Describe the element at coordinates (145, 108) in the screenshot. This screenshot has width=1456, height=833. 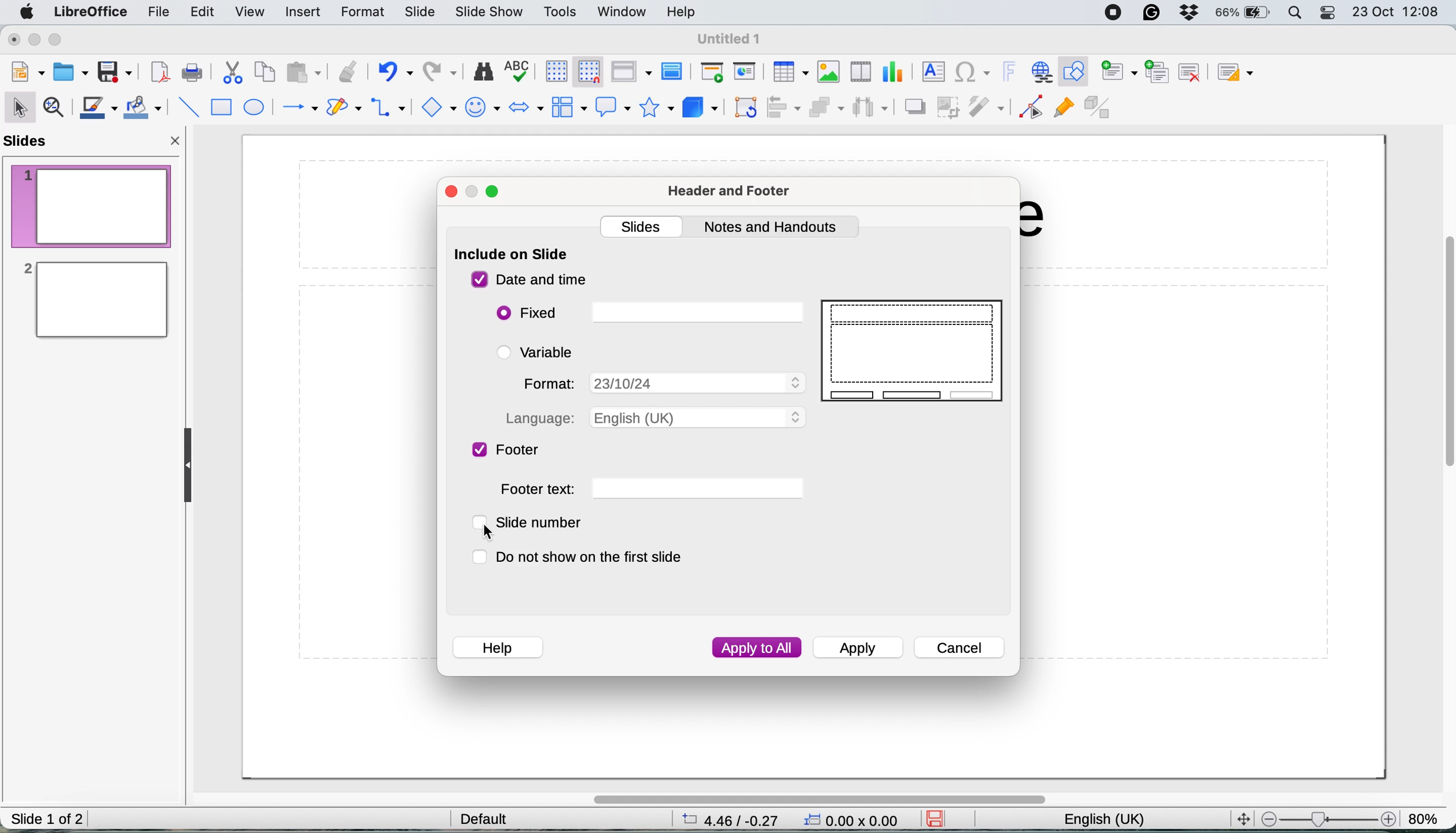
I see `fill color` at that location.